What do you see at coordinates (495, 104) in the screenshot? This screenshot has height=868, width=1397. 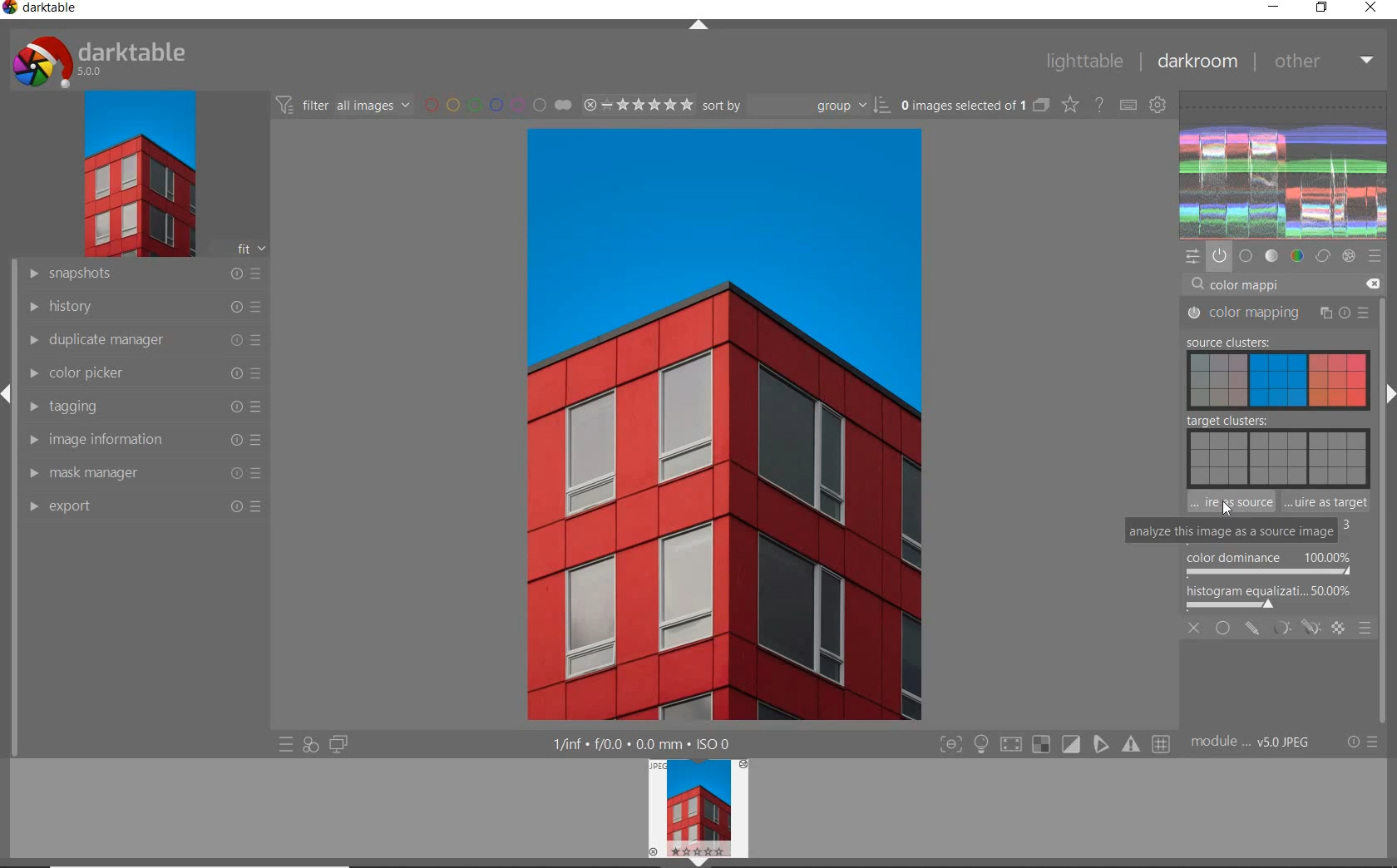 I see `filter by image color label` at bounding box center [495, 104].